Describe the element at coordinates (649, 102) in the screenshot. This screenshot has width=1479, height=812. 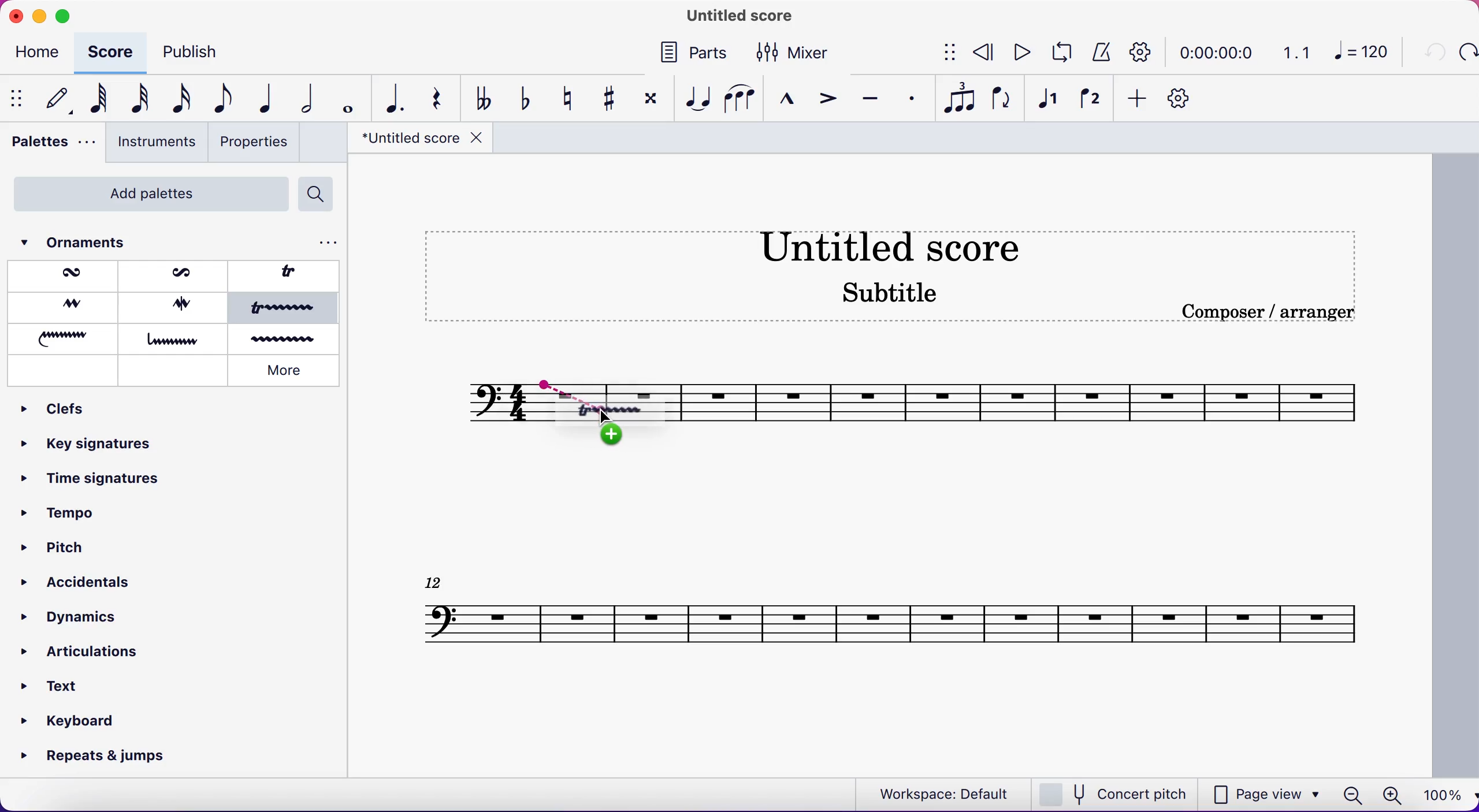
I see `toggle double sharp` at that location.